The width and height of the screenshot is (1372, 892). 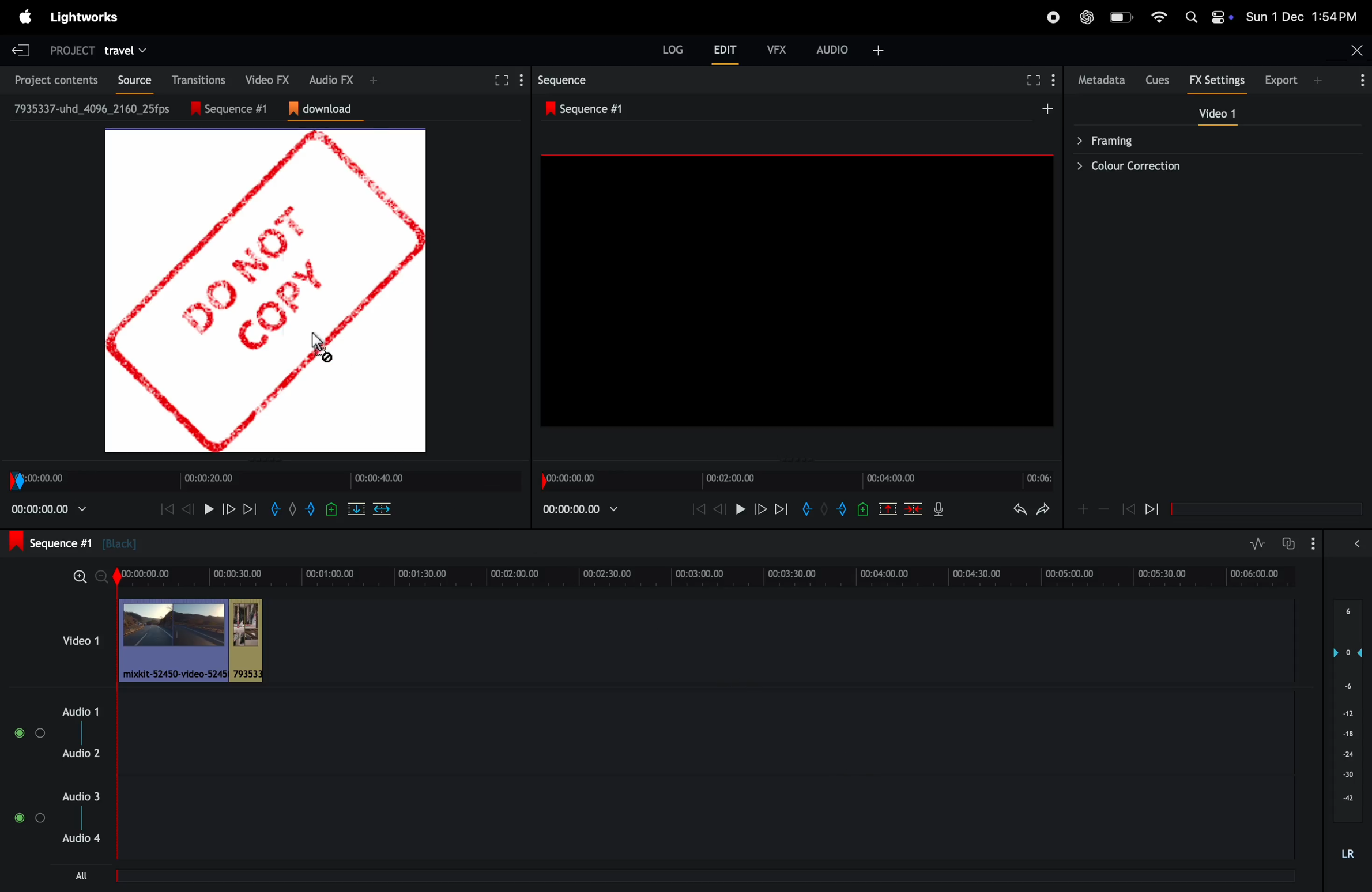 What do you see at coordinates (374, 80) in the screenshot?
I see `Add` at bounding box center [374, 80].